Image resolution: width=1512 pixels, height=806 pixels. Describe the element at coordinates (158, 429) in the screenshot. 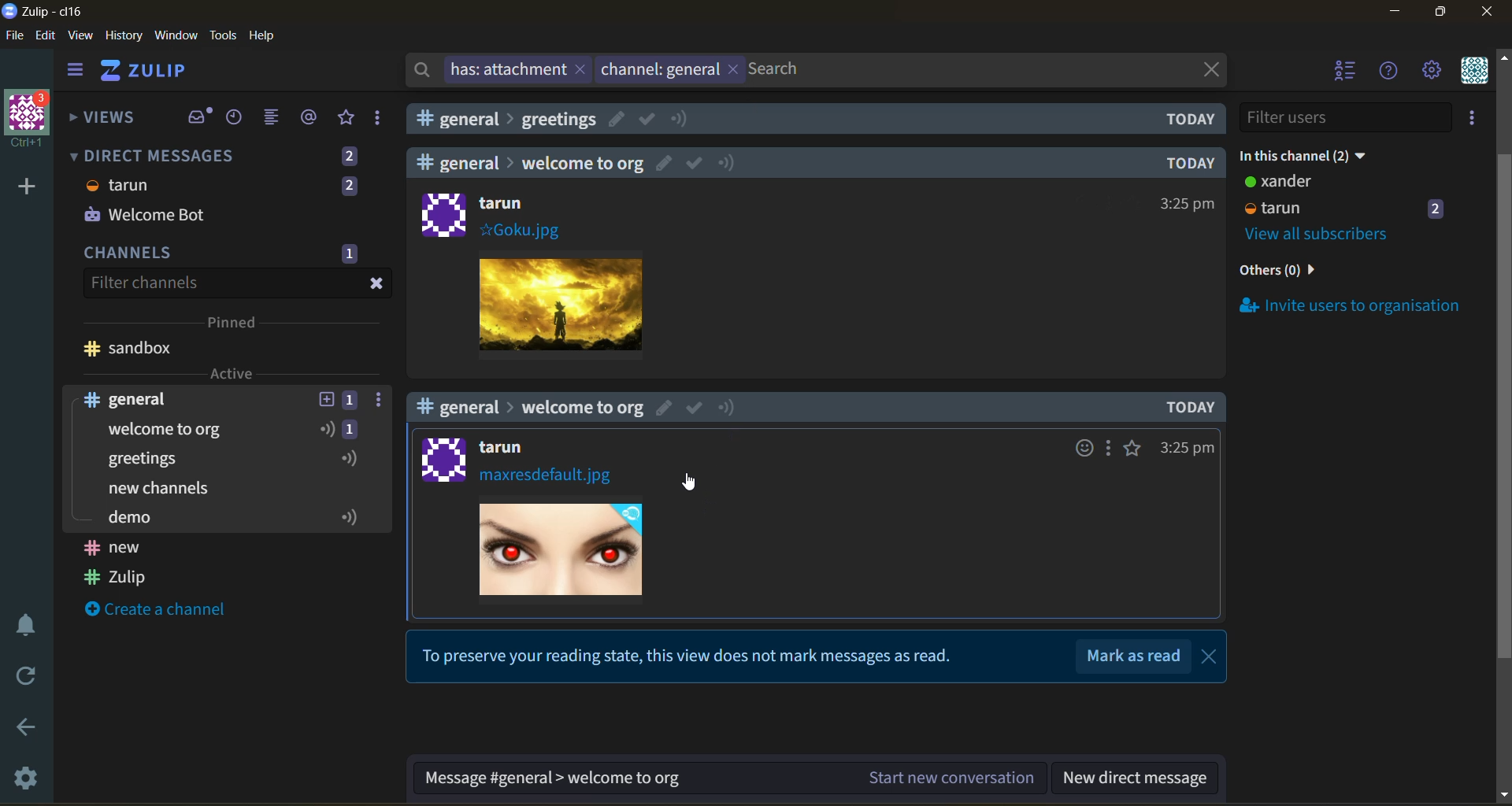

I see `welcome to org` at that location.